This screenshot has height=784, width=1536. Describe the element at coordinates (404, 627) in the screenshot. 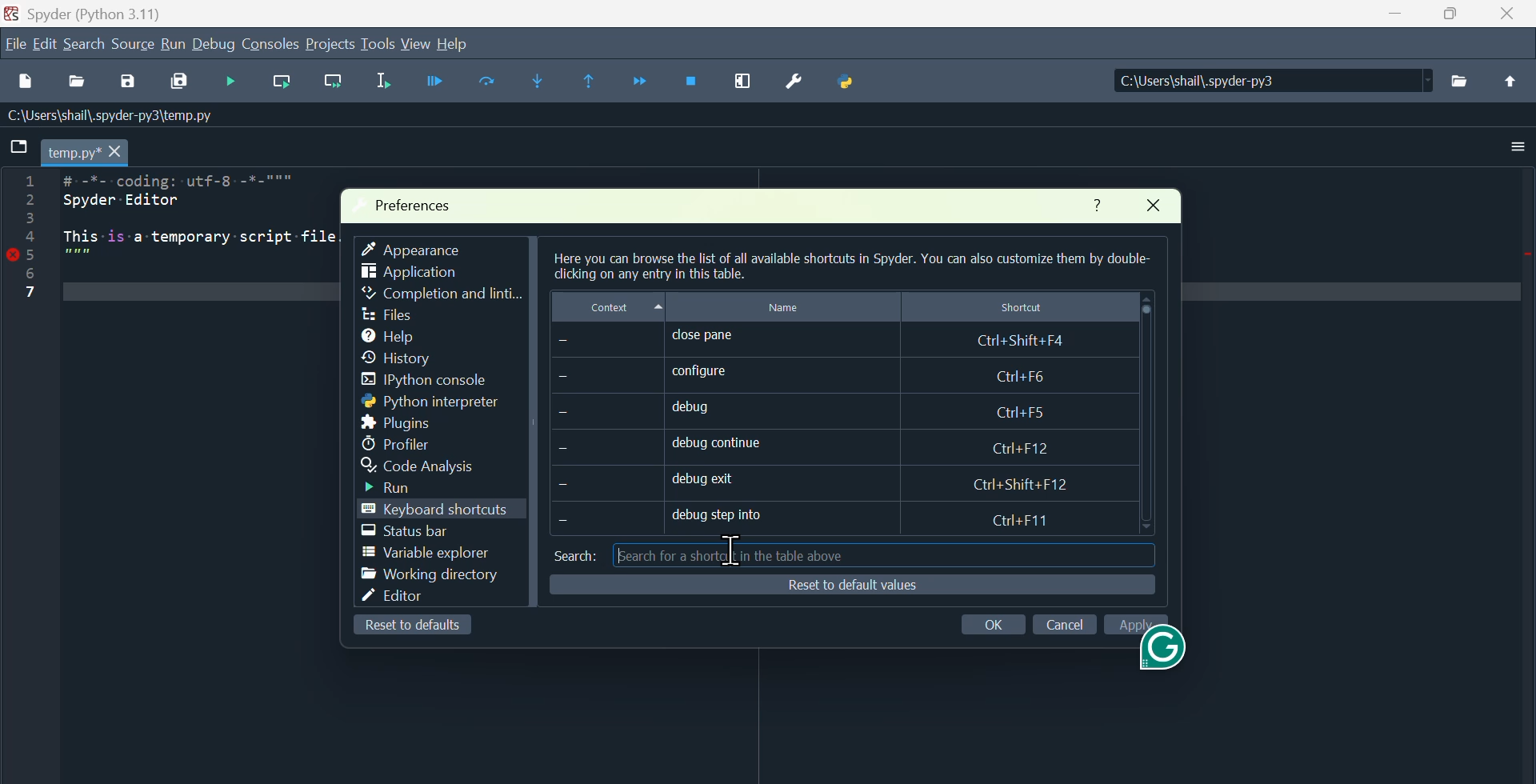

I see `Reset to default` at that location.